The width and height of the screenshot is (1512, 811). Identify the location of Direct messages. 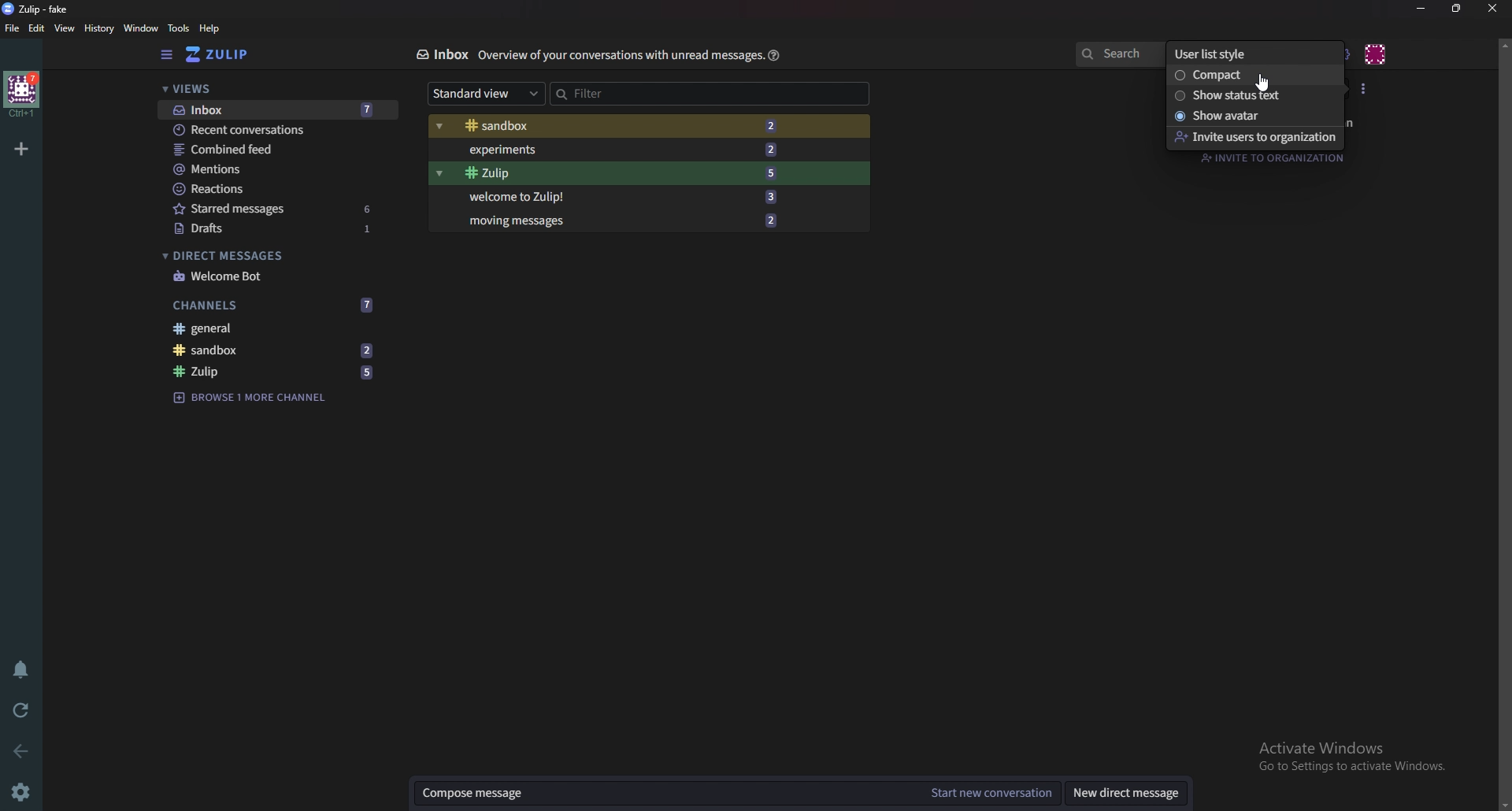
(272, 254).